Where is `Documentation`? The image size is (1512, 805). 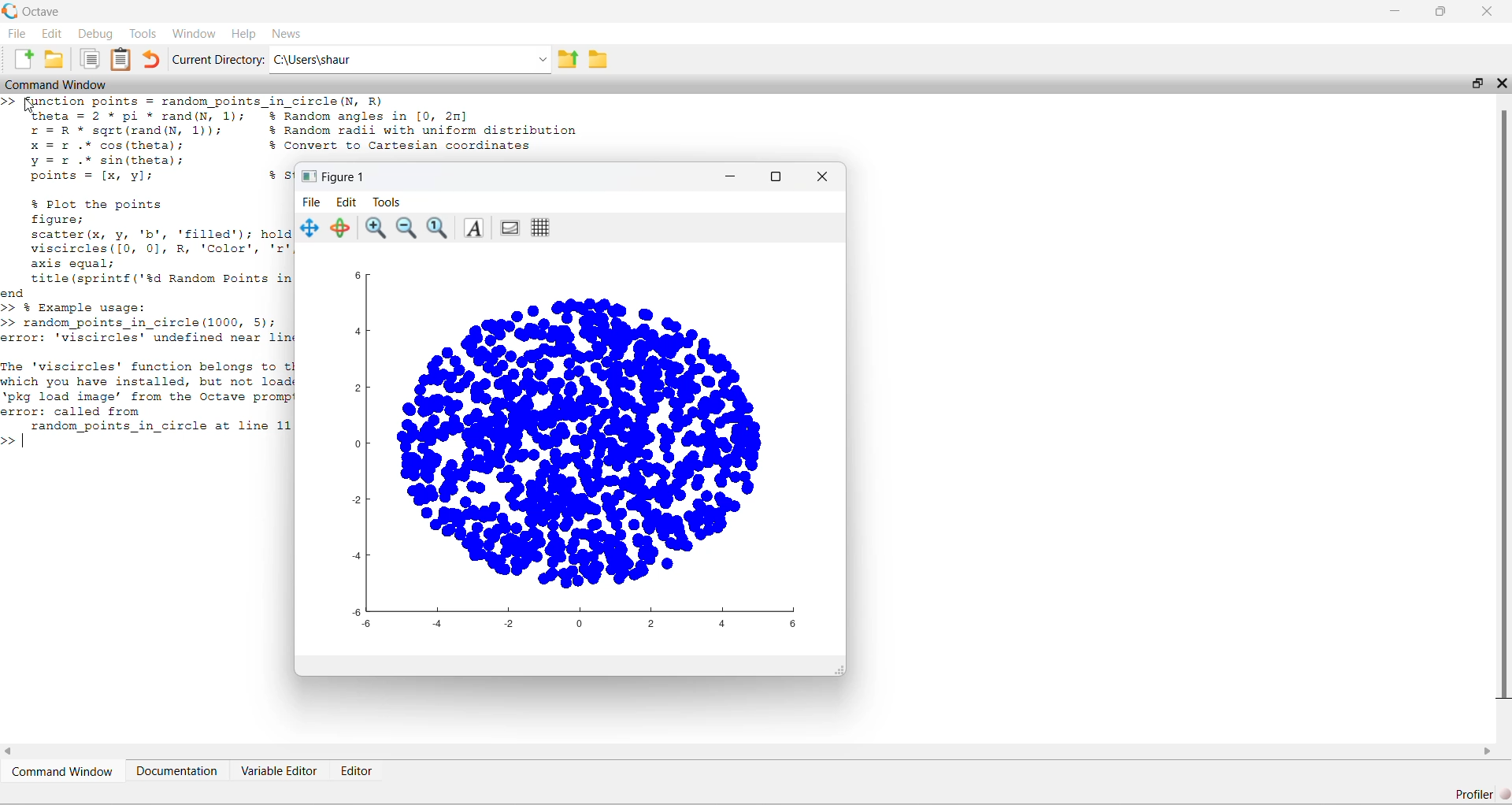 Documentation is located at coordinates (176, 770).